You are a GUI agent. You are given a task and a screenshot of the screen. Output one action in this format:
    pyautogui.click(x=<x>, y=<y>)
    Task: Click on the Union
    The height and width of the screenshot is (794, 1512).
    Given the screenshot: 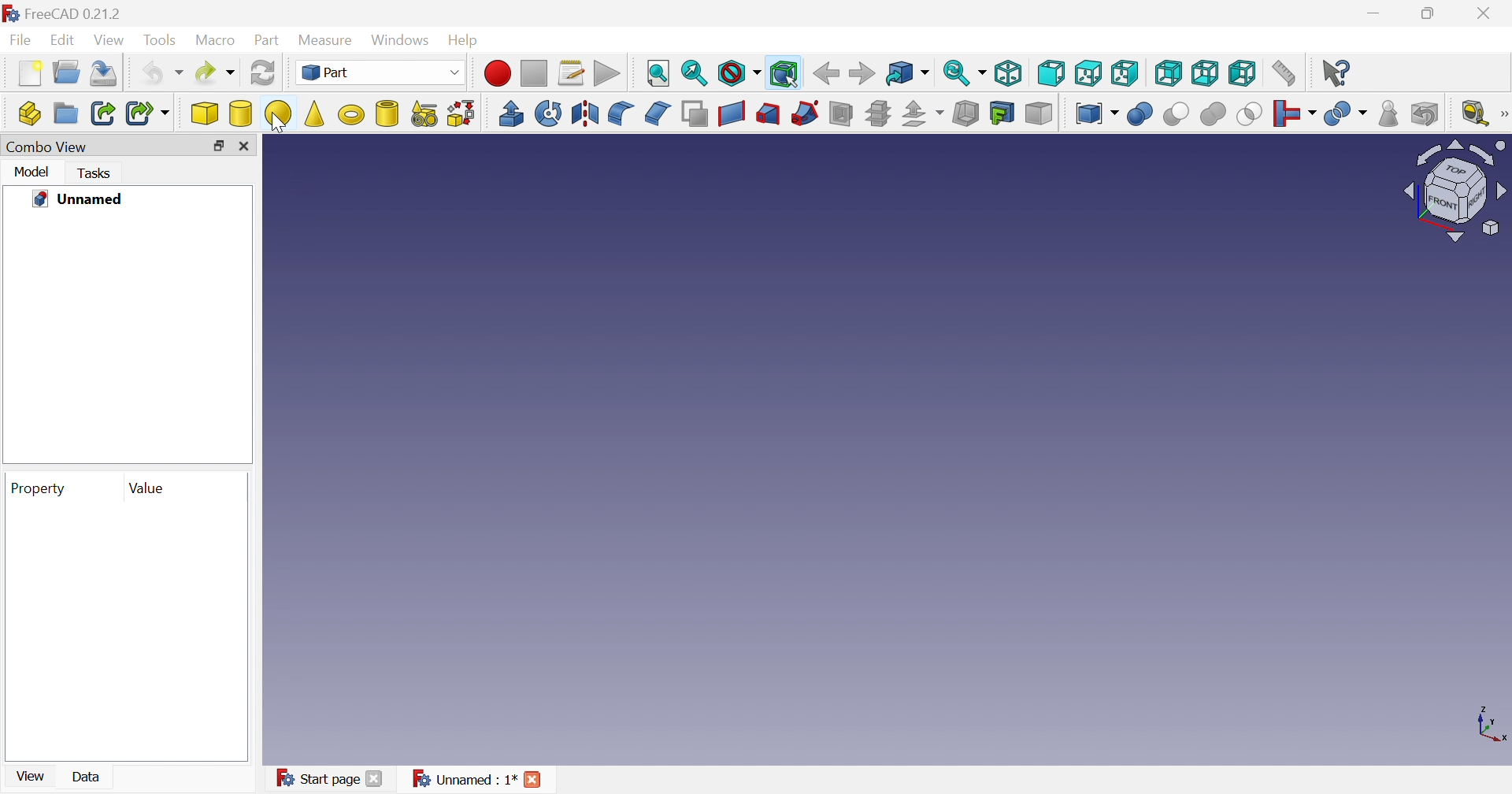 What is the action you would take?
    pyautogui.click(x=1217, y=114)
    